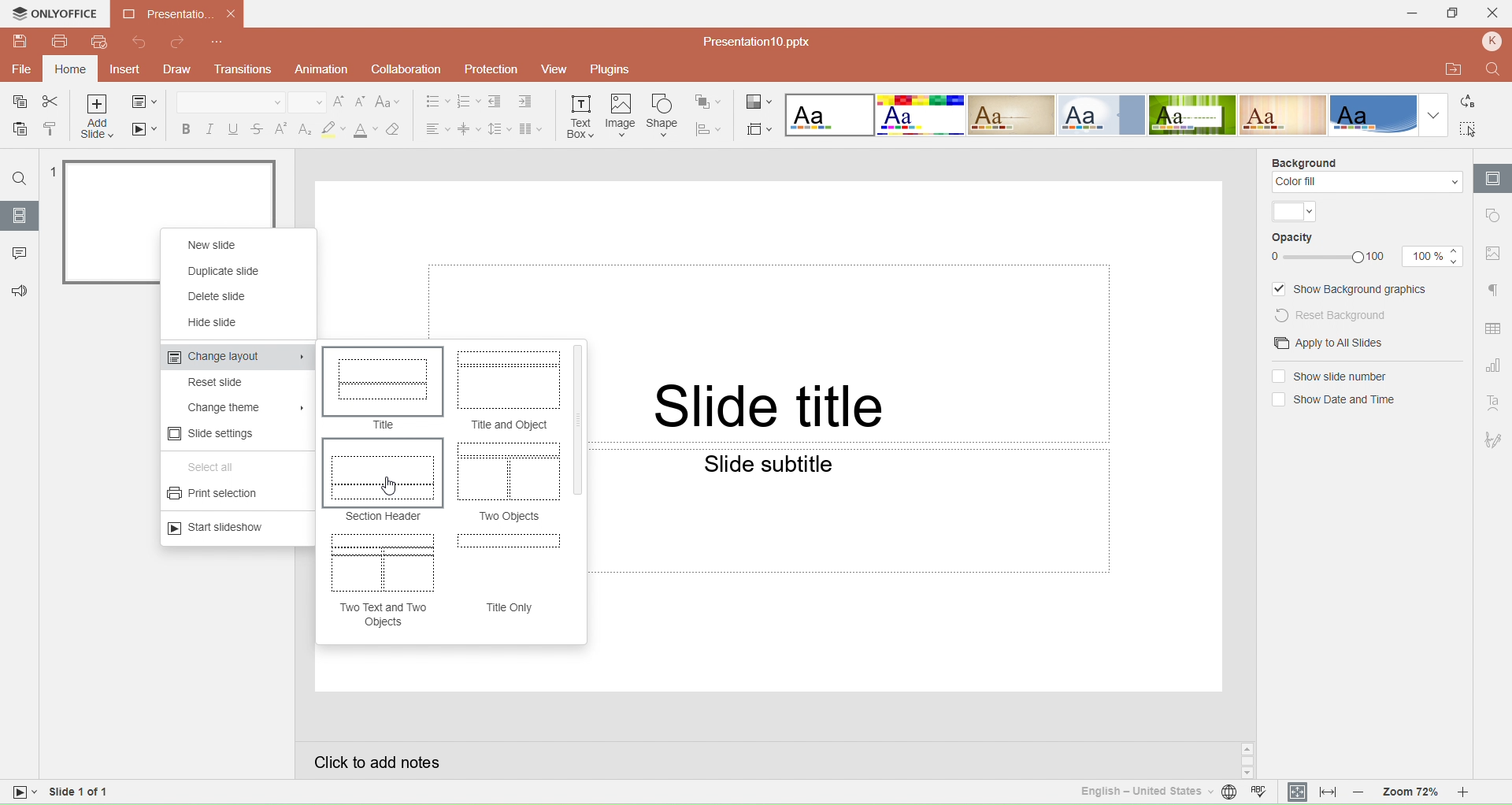 The height and width of the screenshot is (805, 1512). I want to click on Bold, so click(183, 128).